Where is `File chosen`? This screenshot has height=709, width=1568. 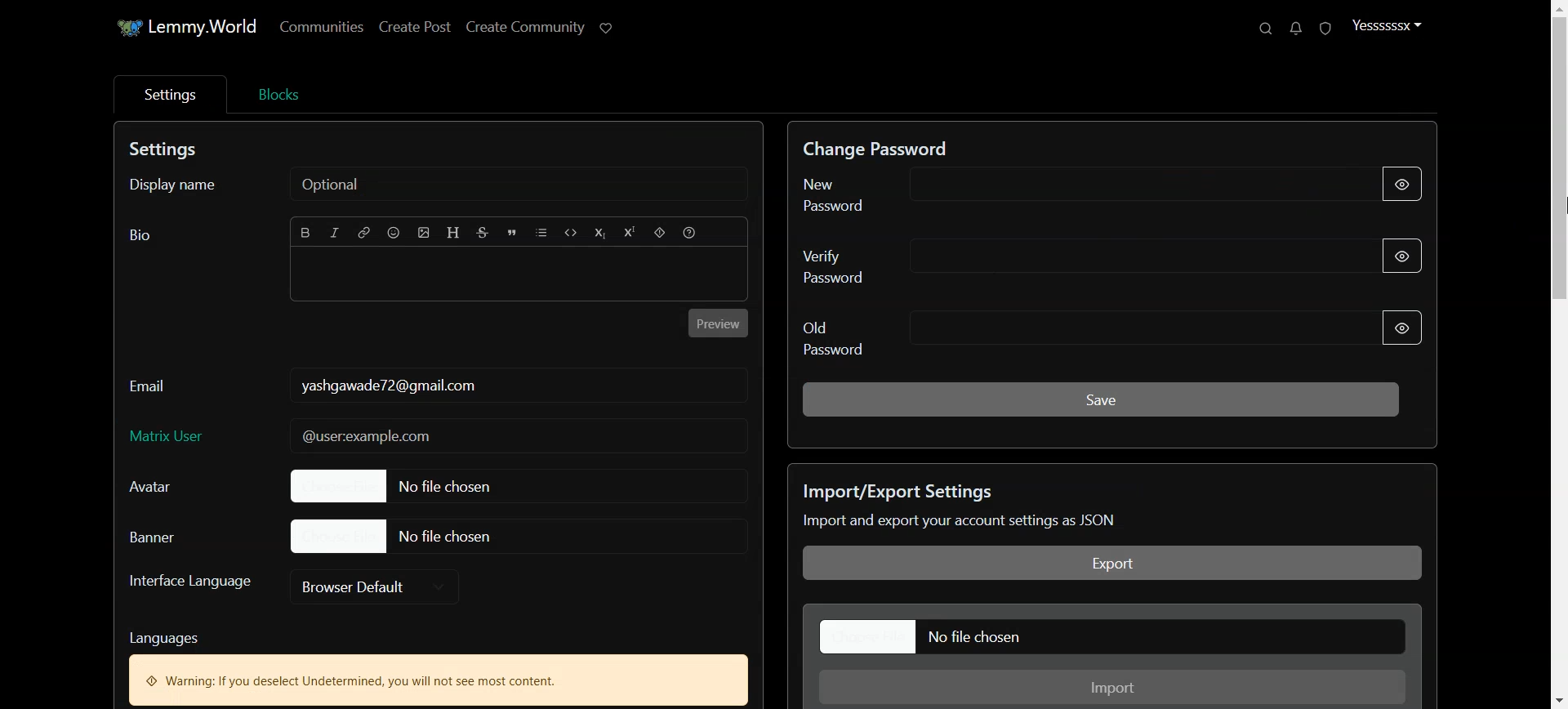 File chosen is located at coordinates (519, 536).